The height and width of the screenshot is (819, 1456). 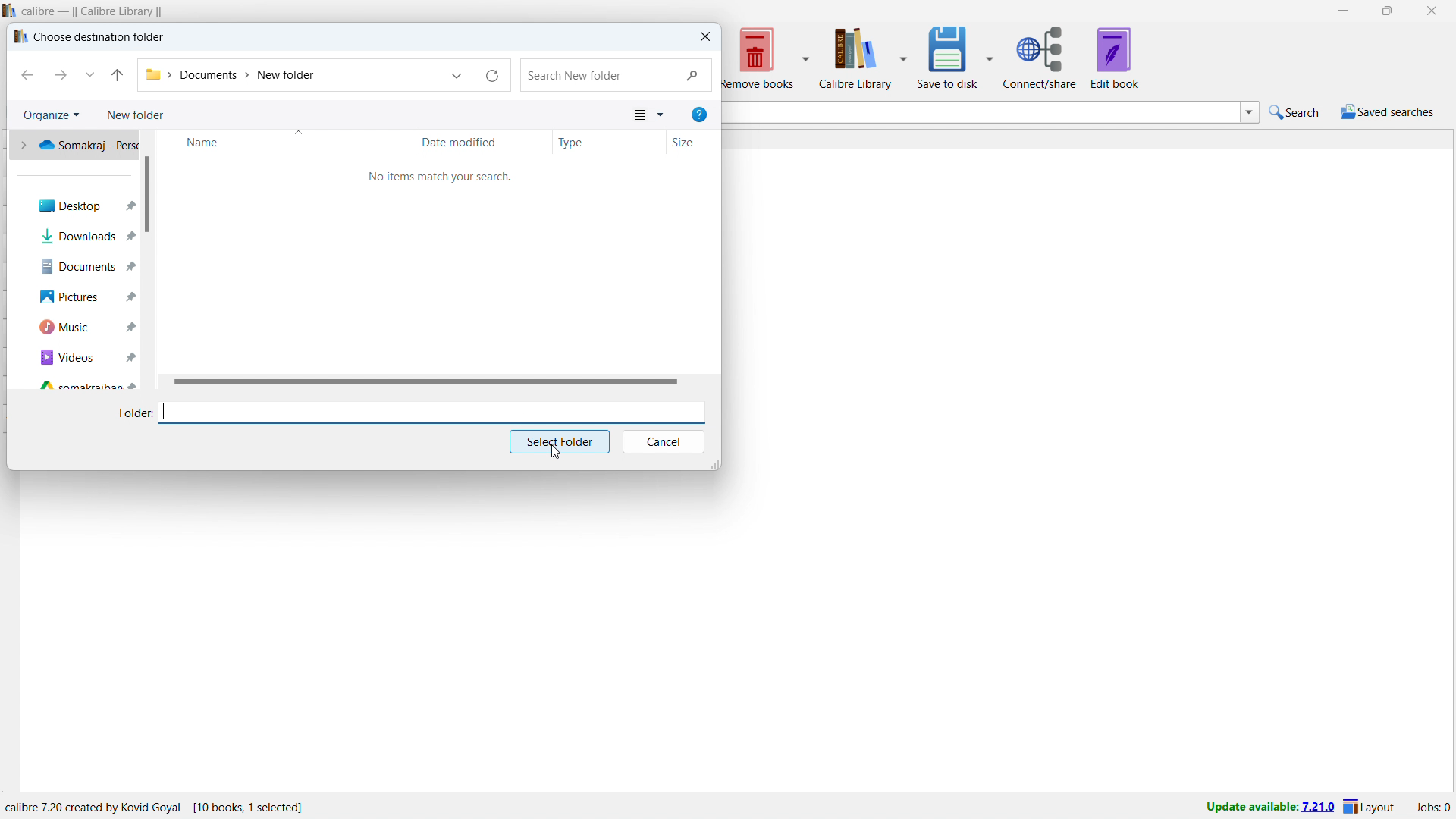 What do you see at coordinates (714, 465) in the screenshot?
I see `resize window` at bounding box center [714, 465].